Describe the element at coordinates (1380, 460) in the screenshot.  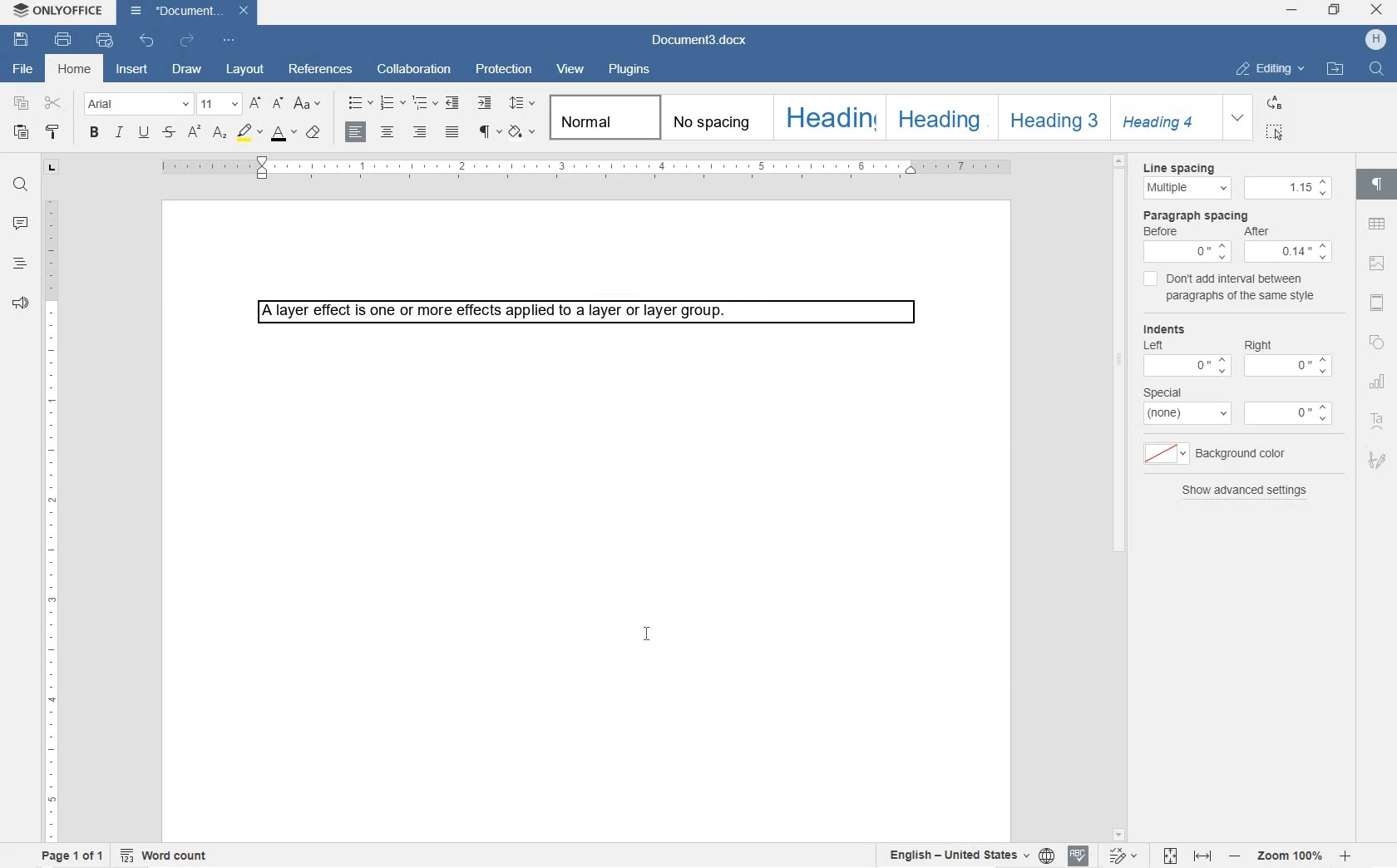
I see `SIGNATURE` at that location.